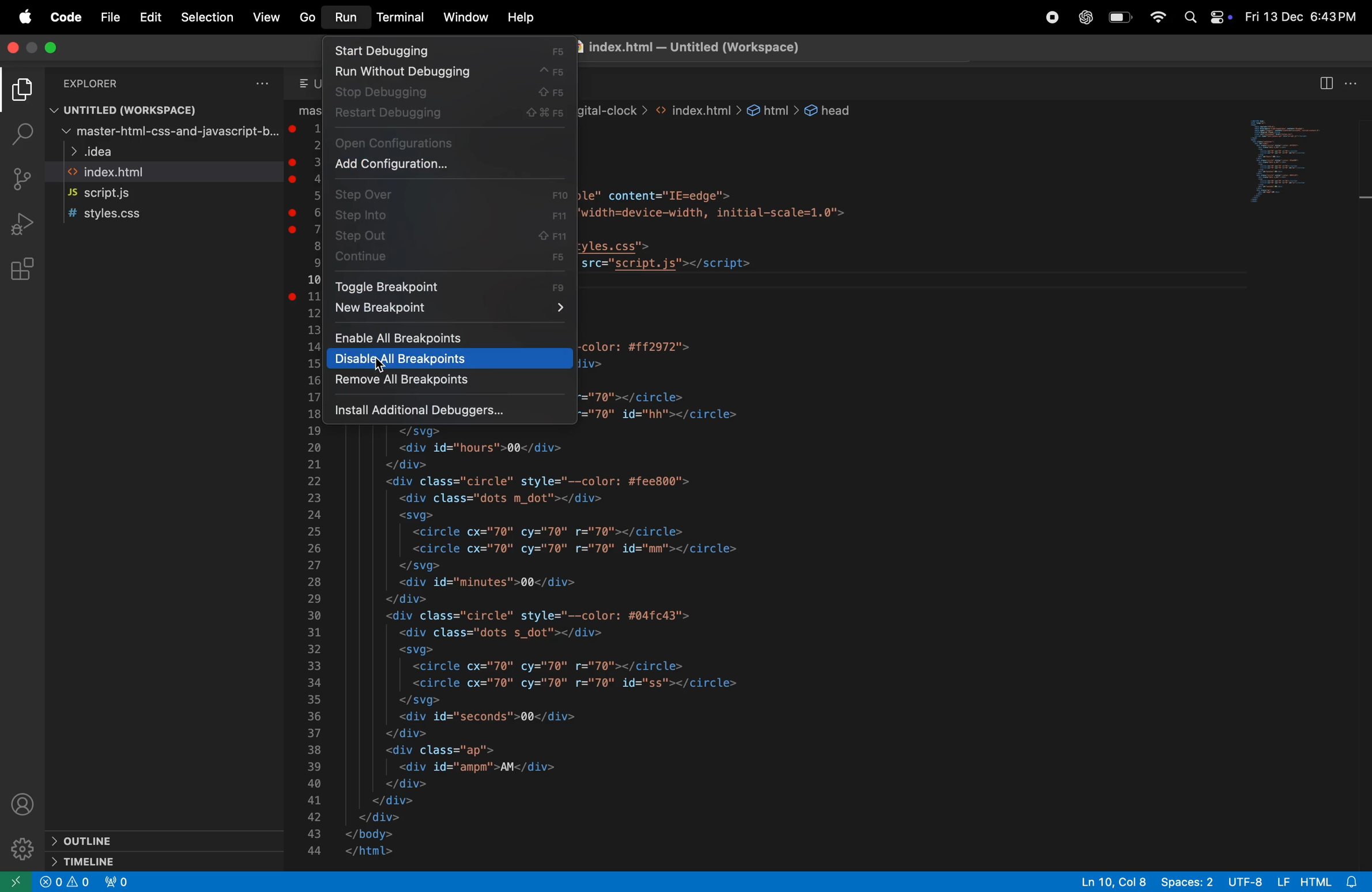  Describe the element at coordinates (1114, 882) in the screenshot. I see `line 10 col 28` at that location.